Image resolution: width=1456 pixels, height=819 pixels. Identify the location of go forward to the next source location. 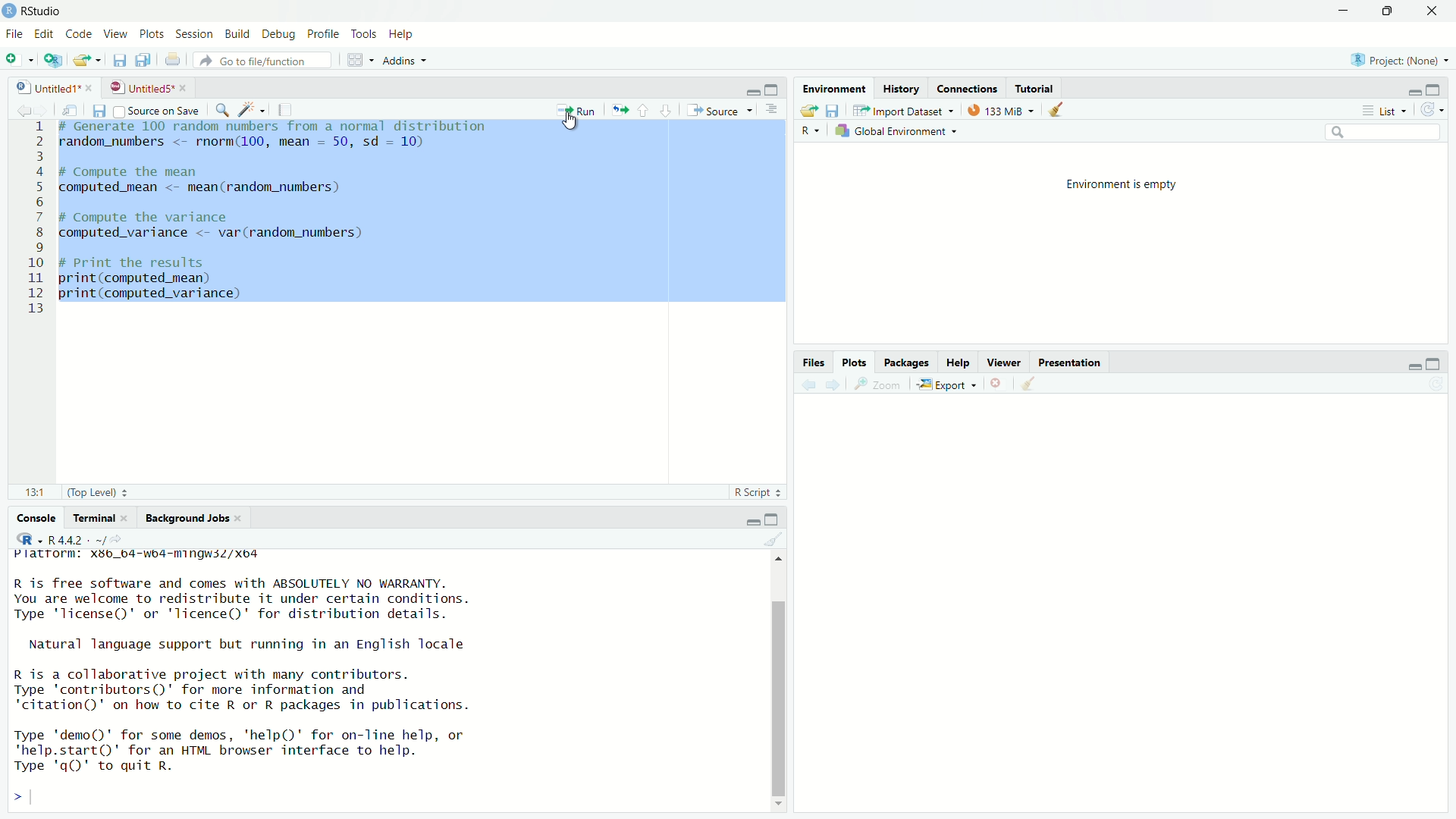
(43, 108).